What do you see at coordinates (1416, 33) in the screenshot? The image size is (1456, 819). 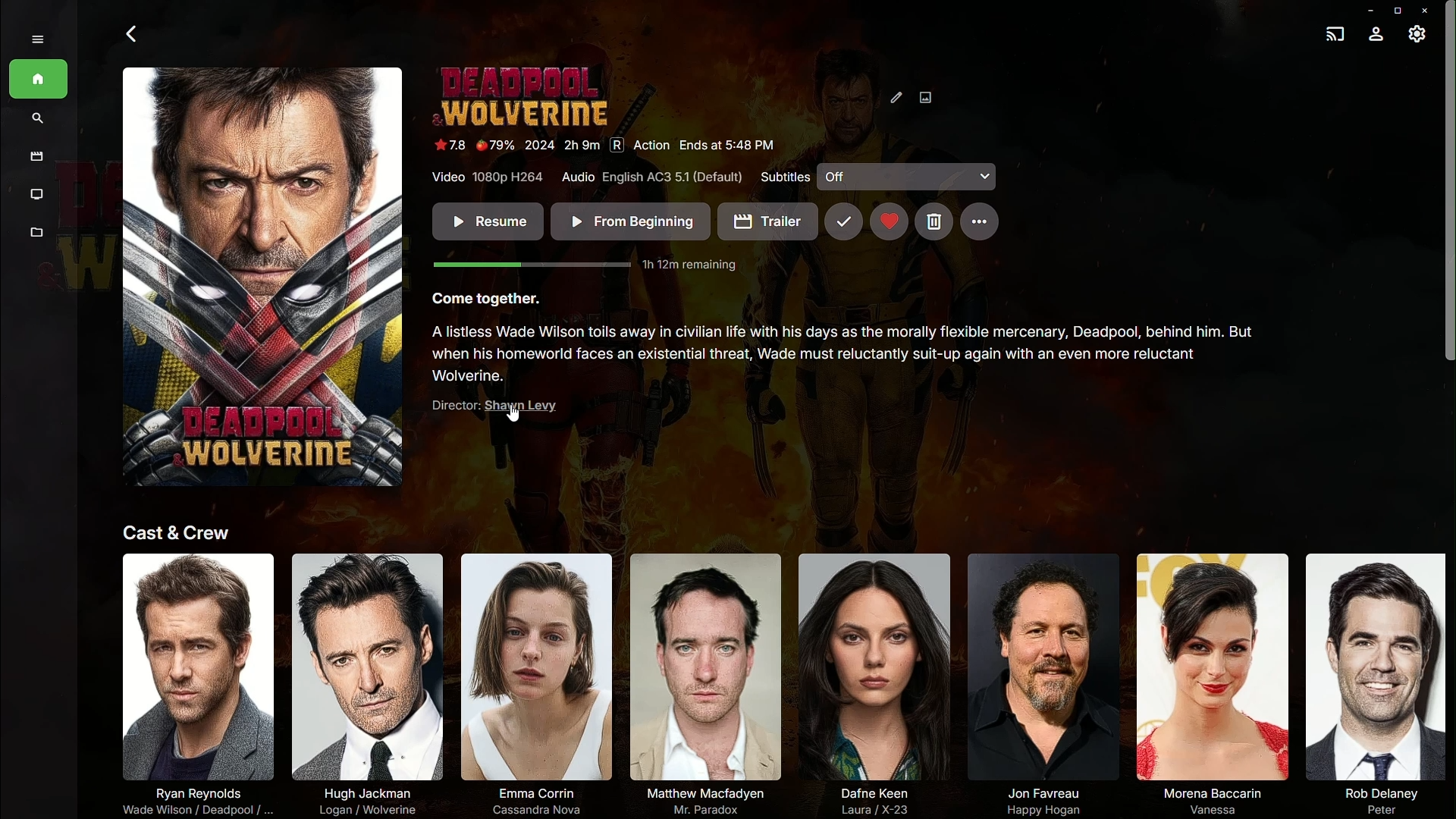 I see `Settings` at bounding box center [1416, 33].